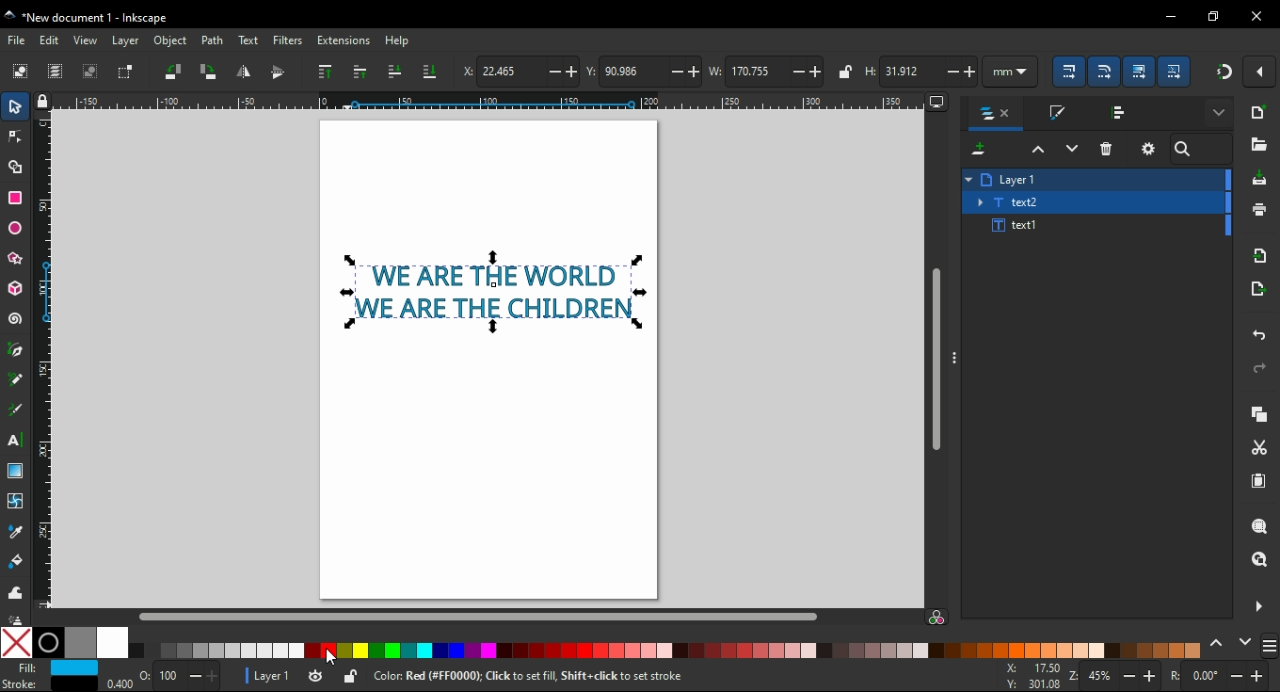 This screenshot has height=692, width=1280. I want to click on layer visible, so click(316, 677).